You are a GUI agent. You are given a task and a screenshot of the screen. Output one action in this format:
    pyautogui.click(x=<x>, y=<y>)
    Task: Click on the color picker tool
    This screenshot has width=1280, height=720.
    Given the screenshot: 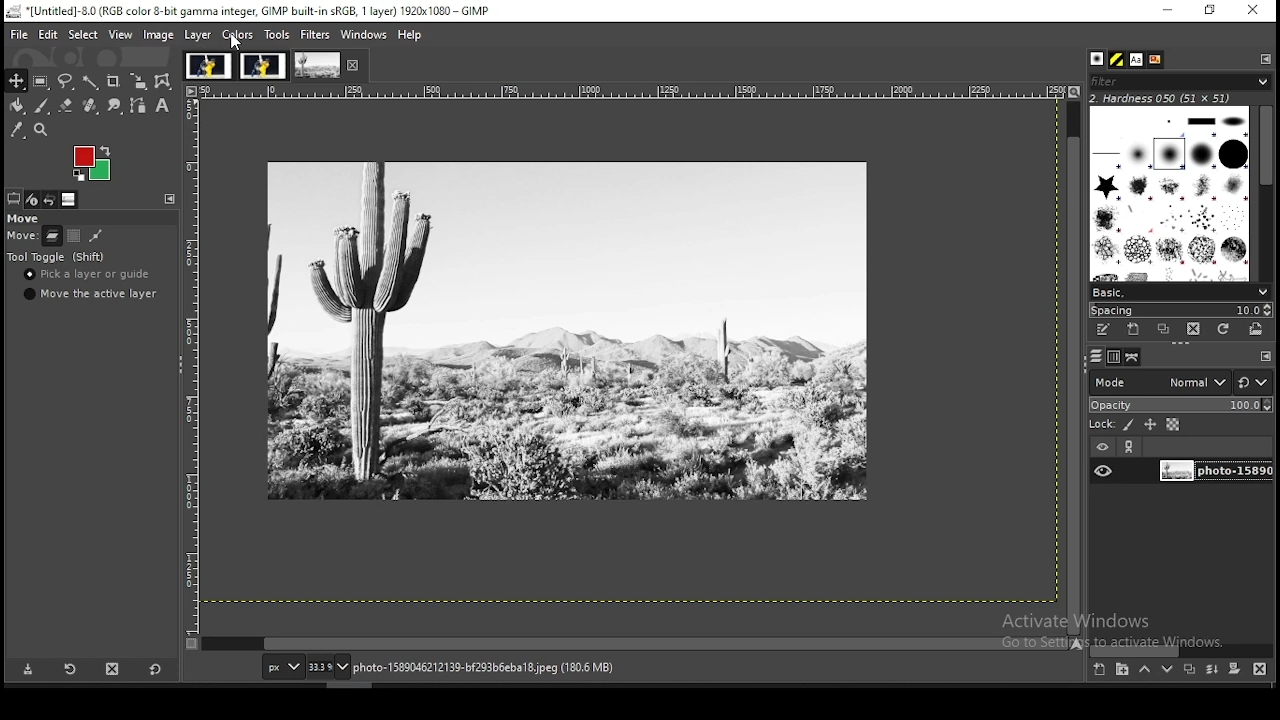 What is the action you would take?
    pyautogui.click(x=17, y=130)
    